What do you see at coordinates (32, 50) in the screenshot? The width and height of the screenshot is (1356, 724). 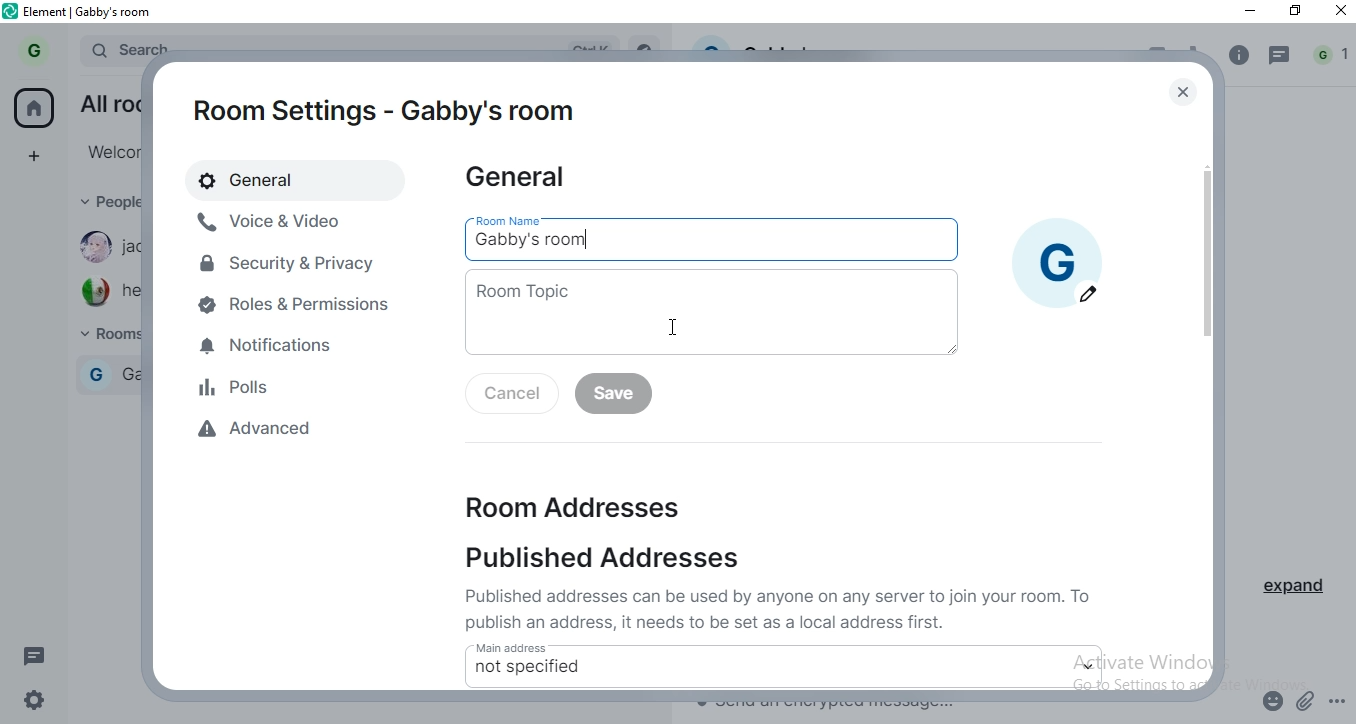 I see `profile` at bounding box center [32, 50].